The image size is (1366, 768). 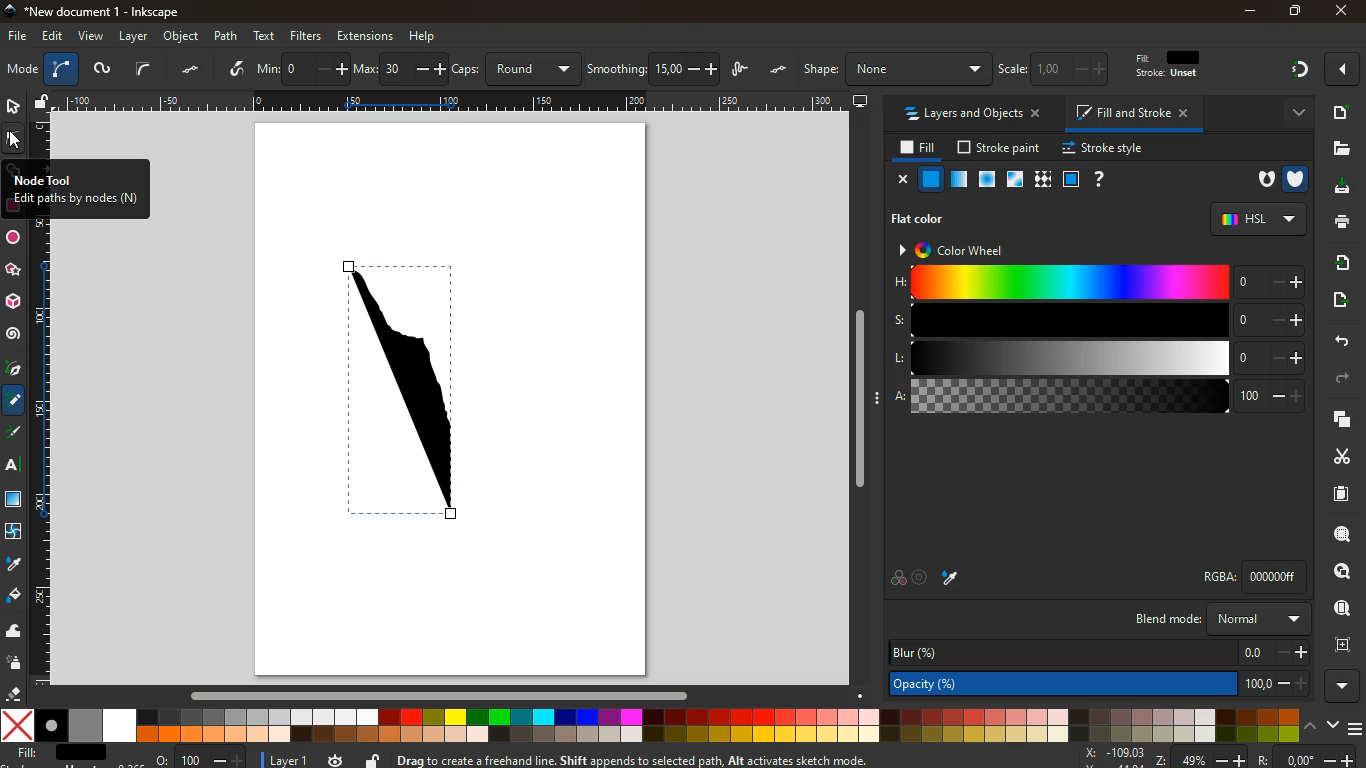 I want to click on view, so click(x=90, y=37).